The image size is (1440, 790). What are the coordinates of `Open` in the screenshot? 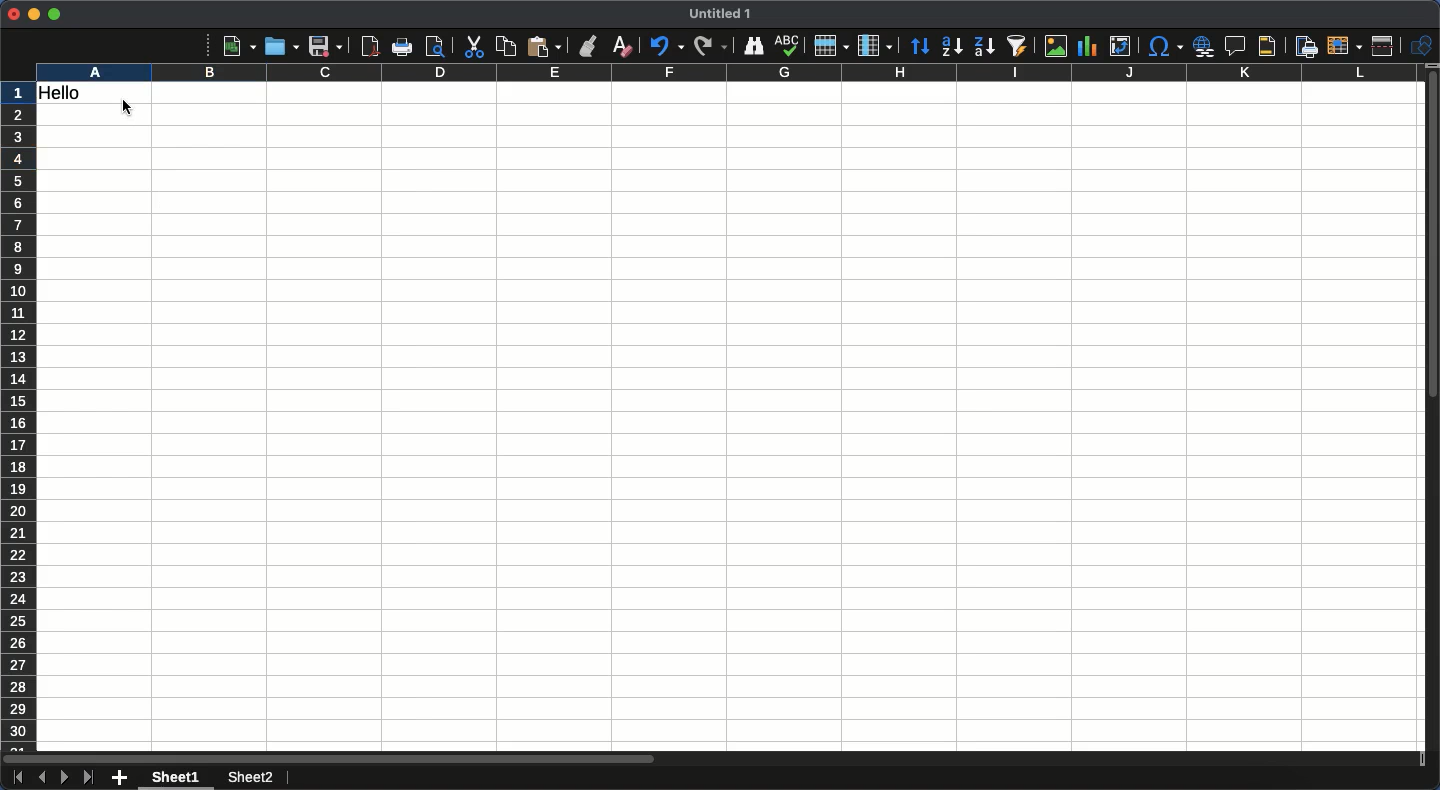 It's located at (279, 45).